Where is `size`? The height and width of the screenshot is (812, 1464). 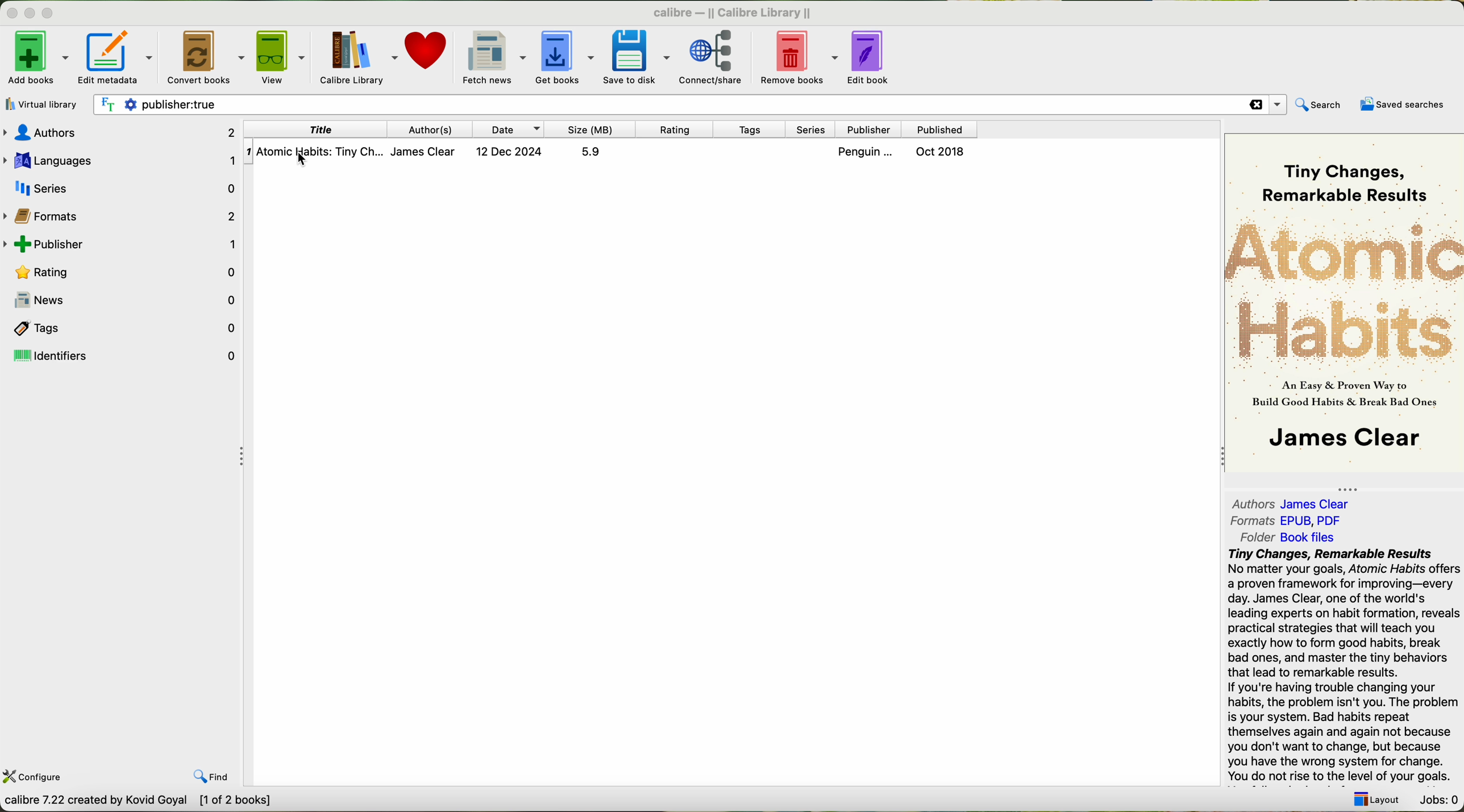
size is located at coordinates (589, 129).